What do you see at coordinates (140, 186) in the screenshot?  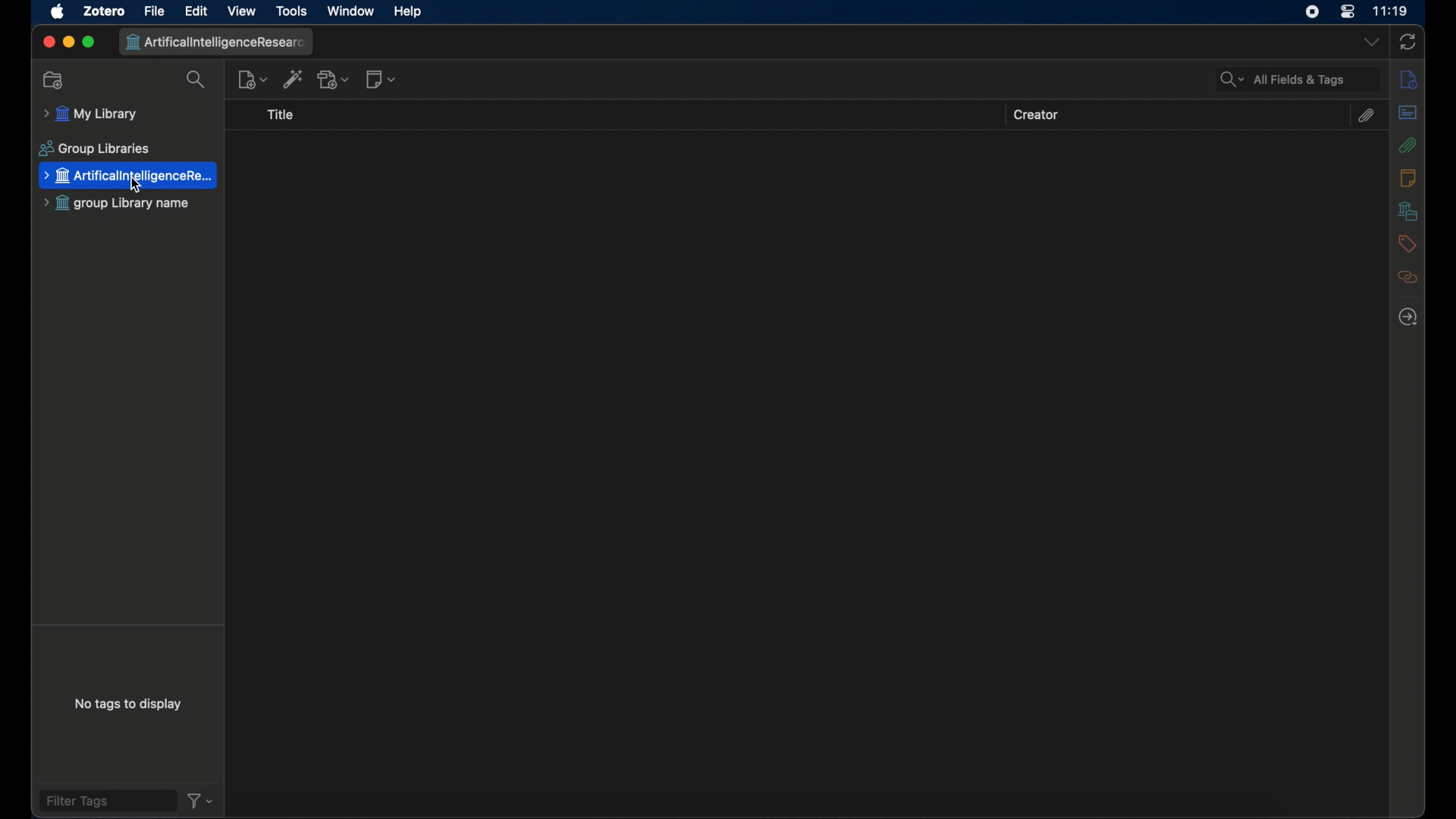 I see `cursor` at bounding box center [140, 186].